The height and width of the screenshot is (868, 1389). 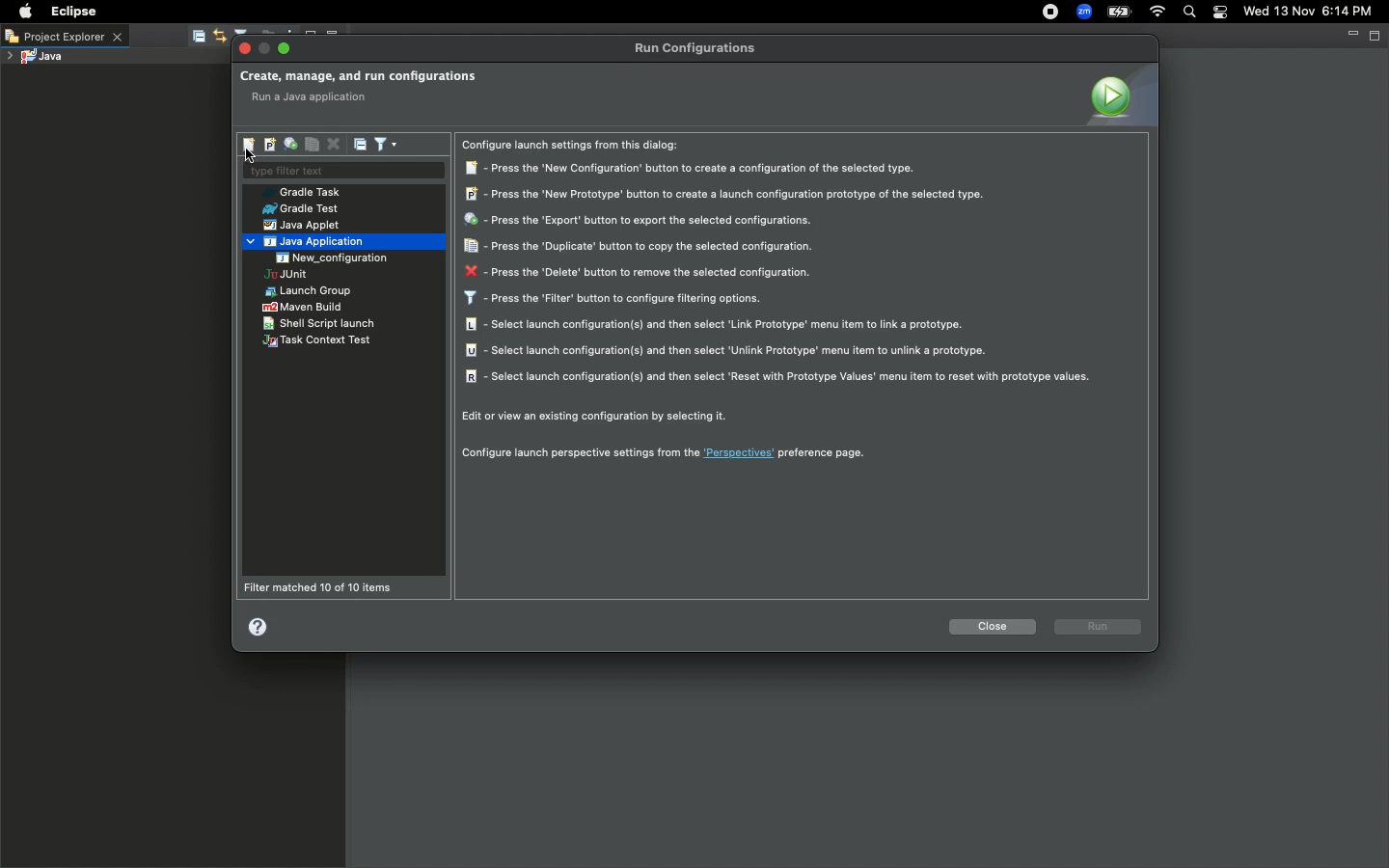 What do you see at coordinates (1351, 34) in the screenshot?
I see `Minimize` at bounding box center [1351, 34].